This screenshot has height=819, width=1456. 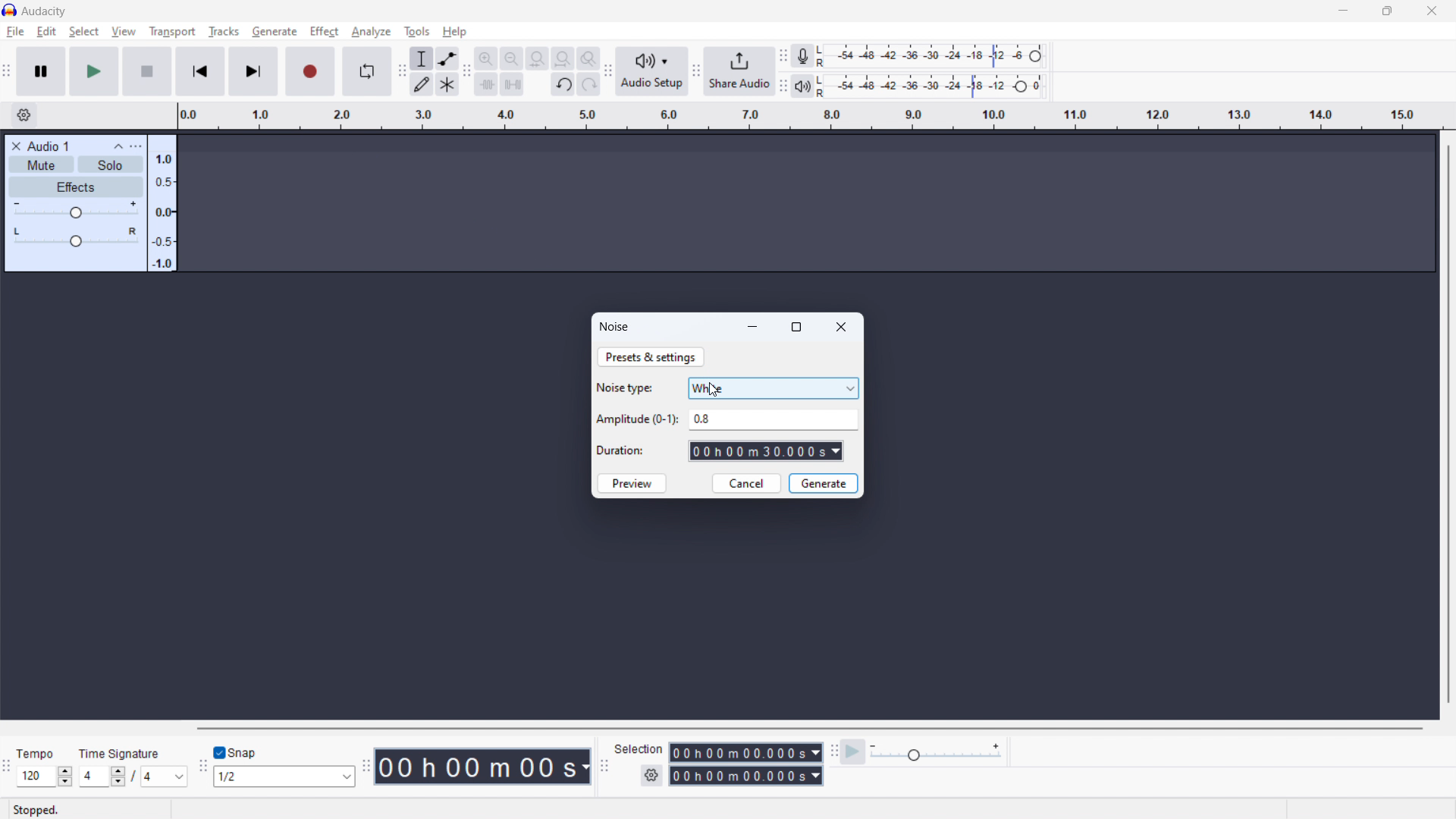 What do you see at coordinates (796, 328) in the screenshot?
I see `maximize` at bounding box center [796, 328].